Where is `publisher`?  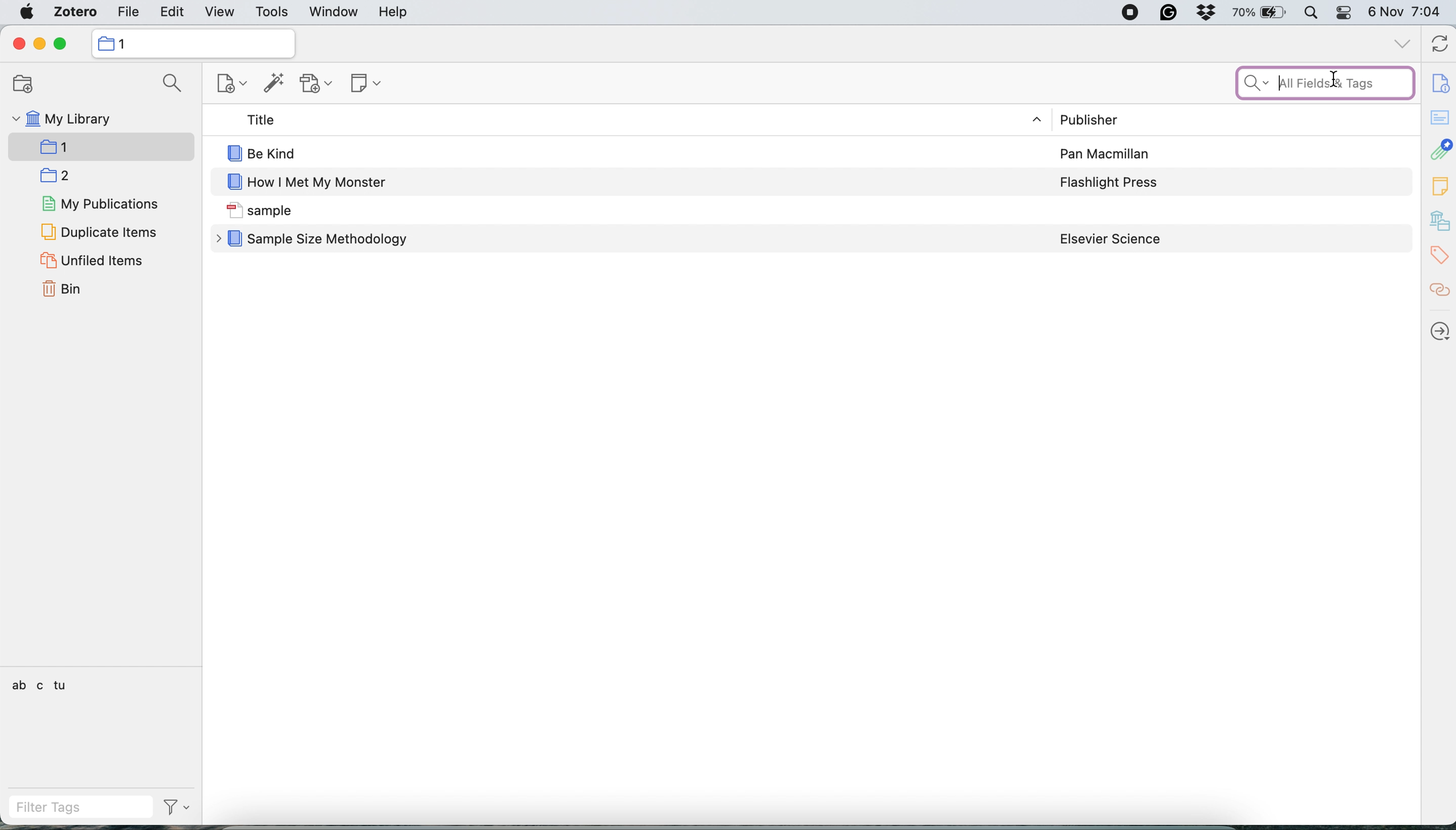 publisher is located at coordinates (1088, 119).